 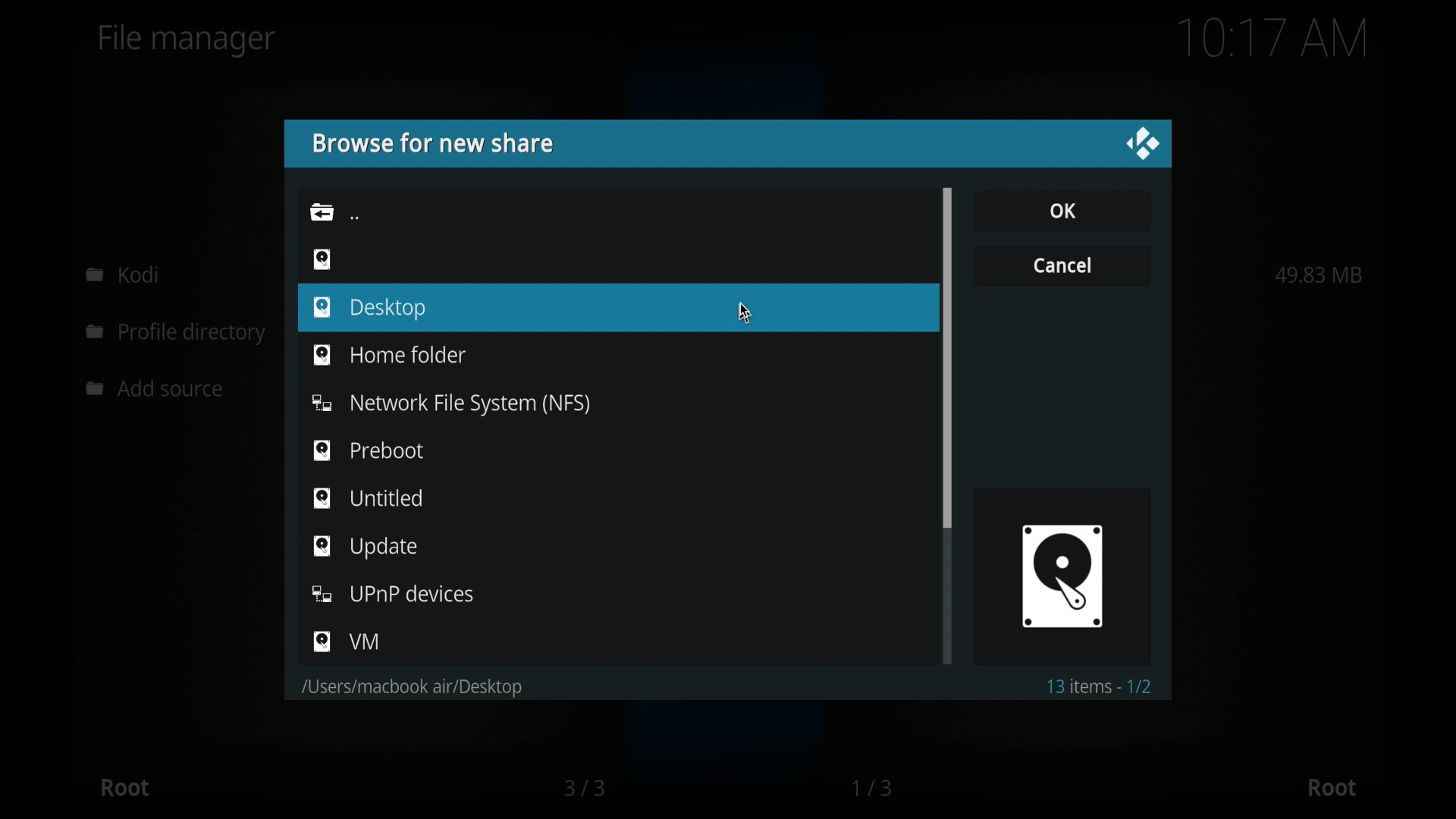 I want to click on home folder, so click(x=388, y=353).